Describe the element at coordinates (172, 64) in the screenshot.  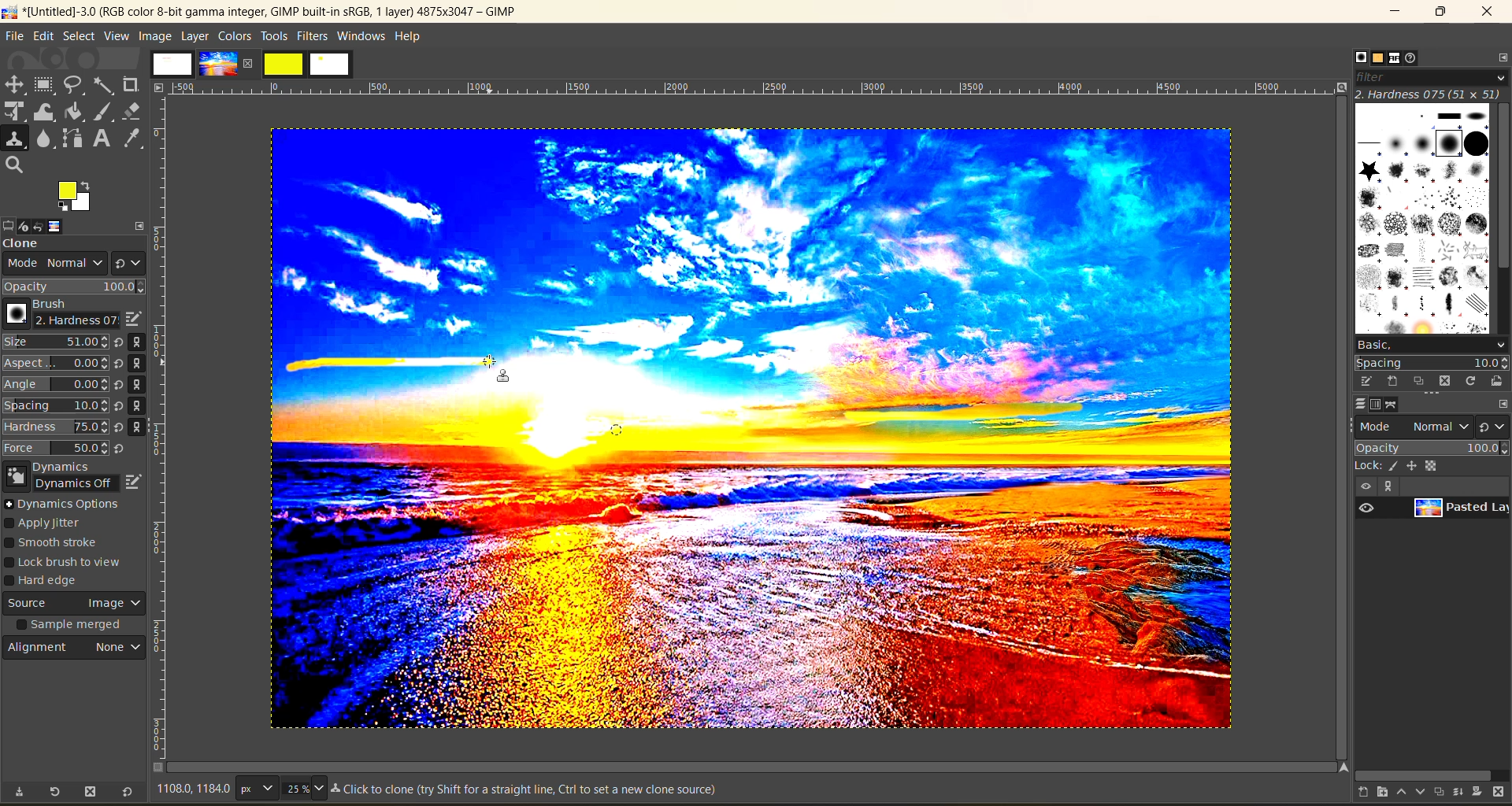
I see `images` at that location.